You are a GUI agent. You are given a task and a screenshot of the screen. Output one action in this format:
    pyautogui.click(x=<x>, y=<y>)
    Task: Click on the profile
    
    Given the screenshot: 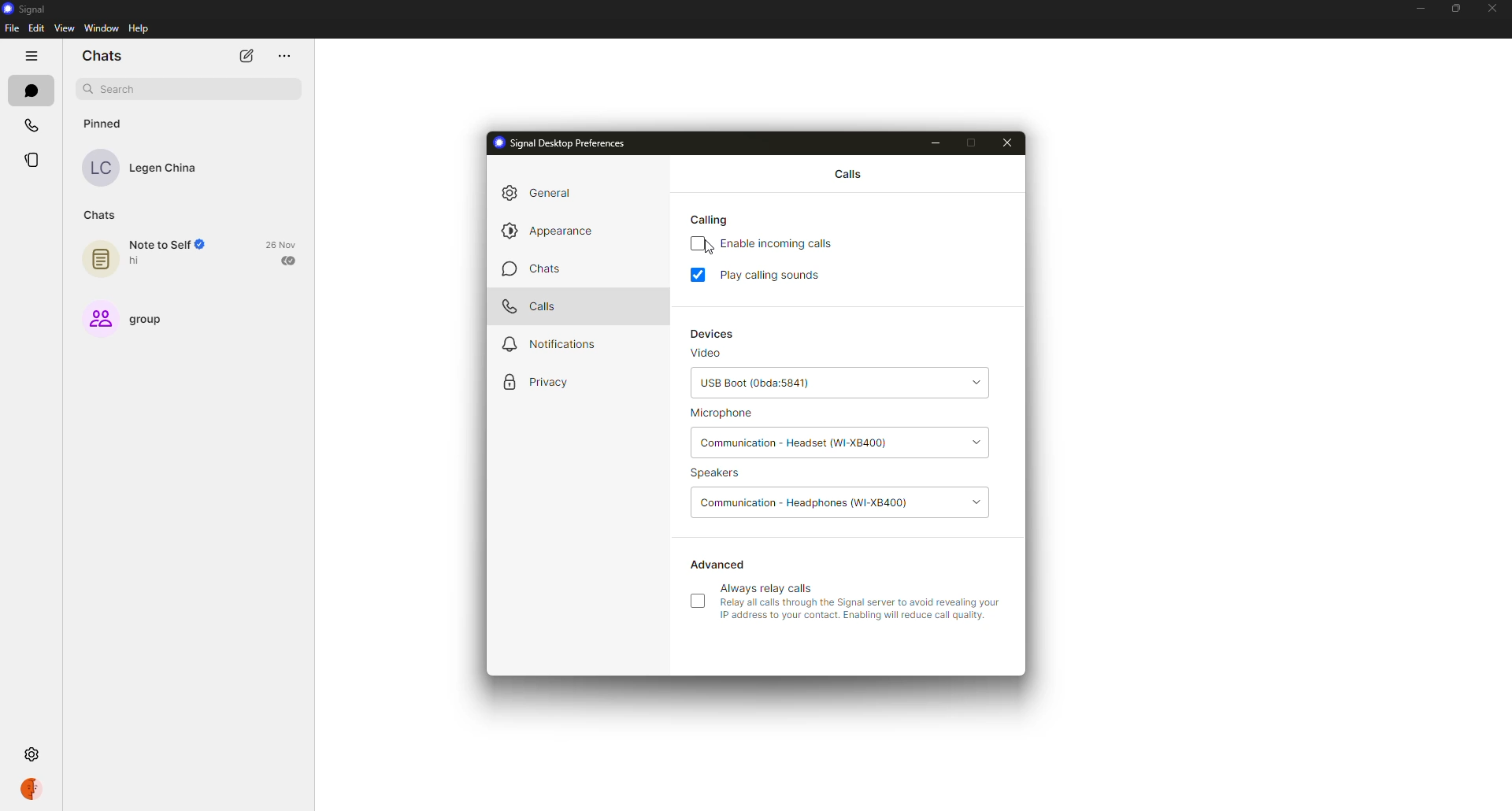 What is the action you would take?
    pyautogui.click(x=34, y=791)
    